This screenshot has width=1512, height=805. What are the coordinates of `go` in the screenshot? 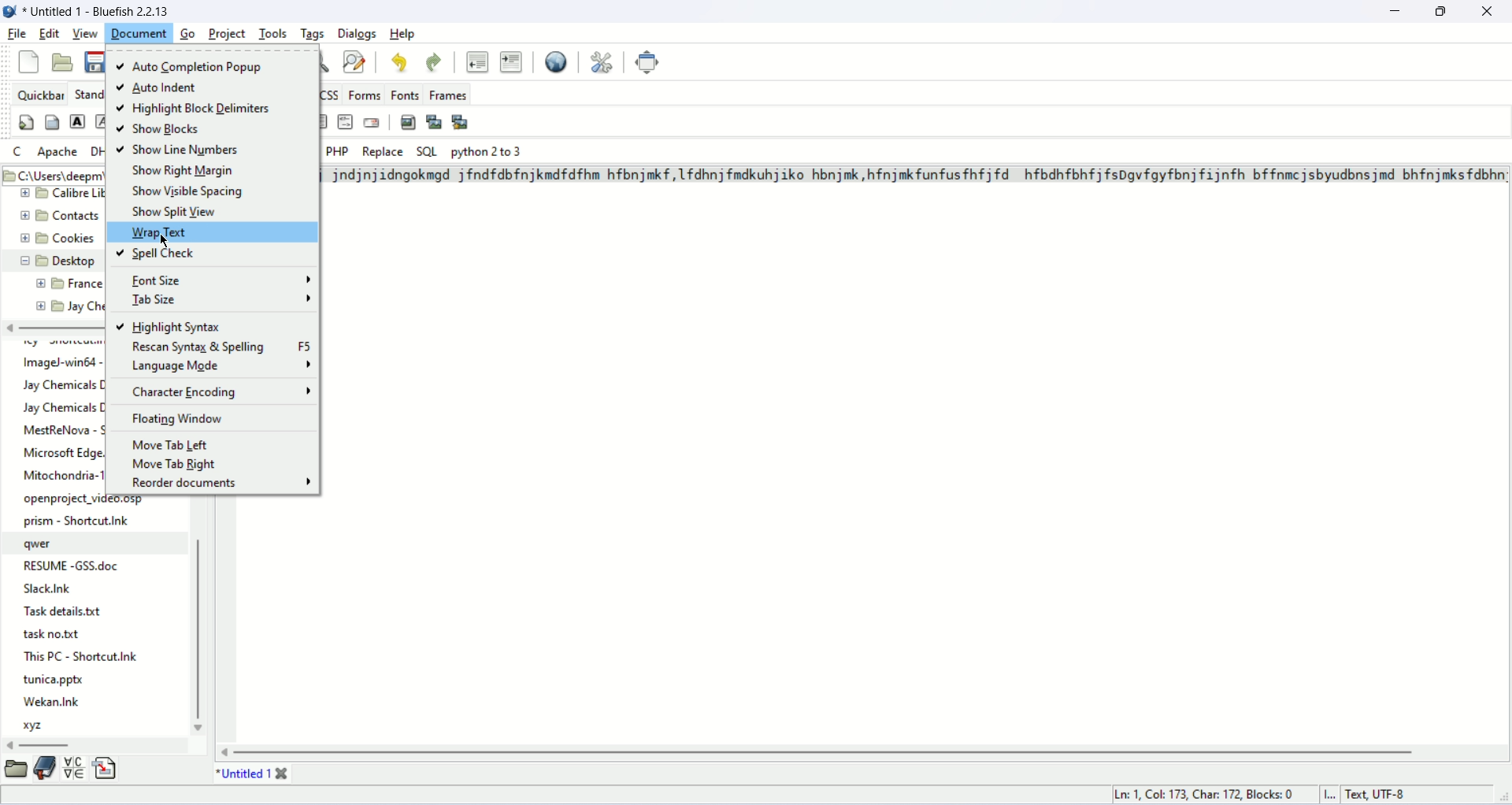 It's located at (187, 33).